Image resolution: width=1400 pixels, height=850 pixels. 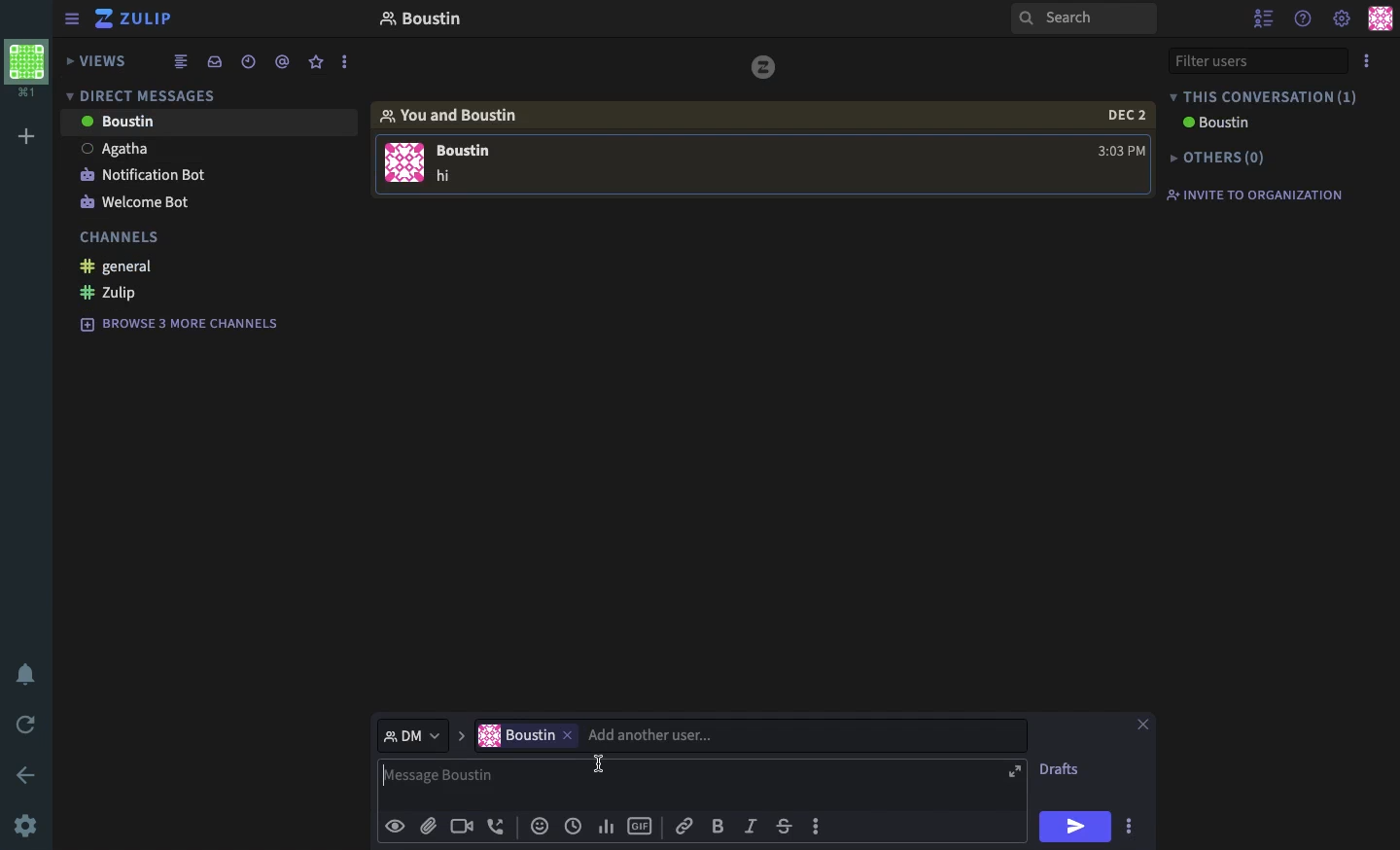 What do you see at coordinates (496, 824) in the screenshot?
I see `audio call` at bounding box center [496, 824].